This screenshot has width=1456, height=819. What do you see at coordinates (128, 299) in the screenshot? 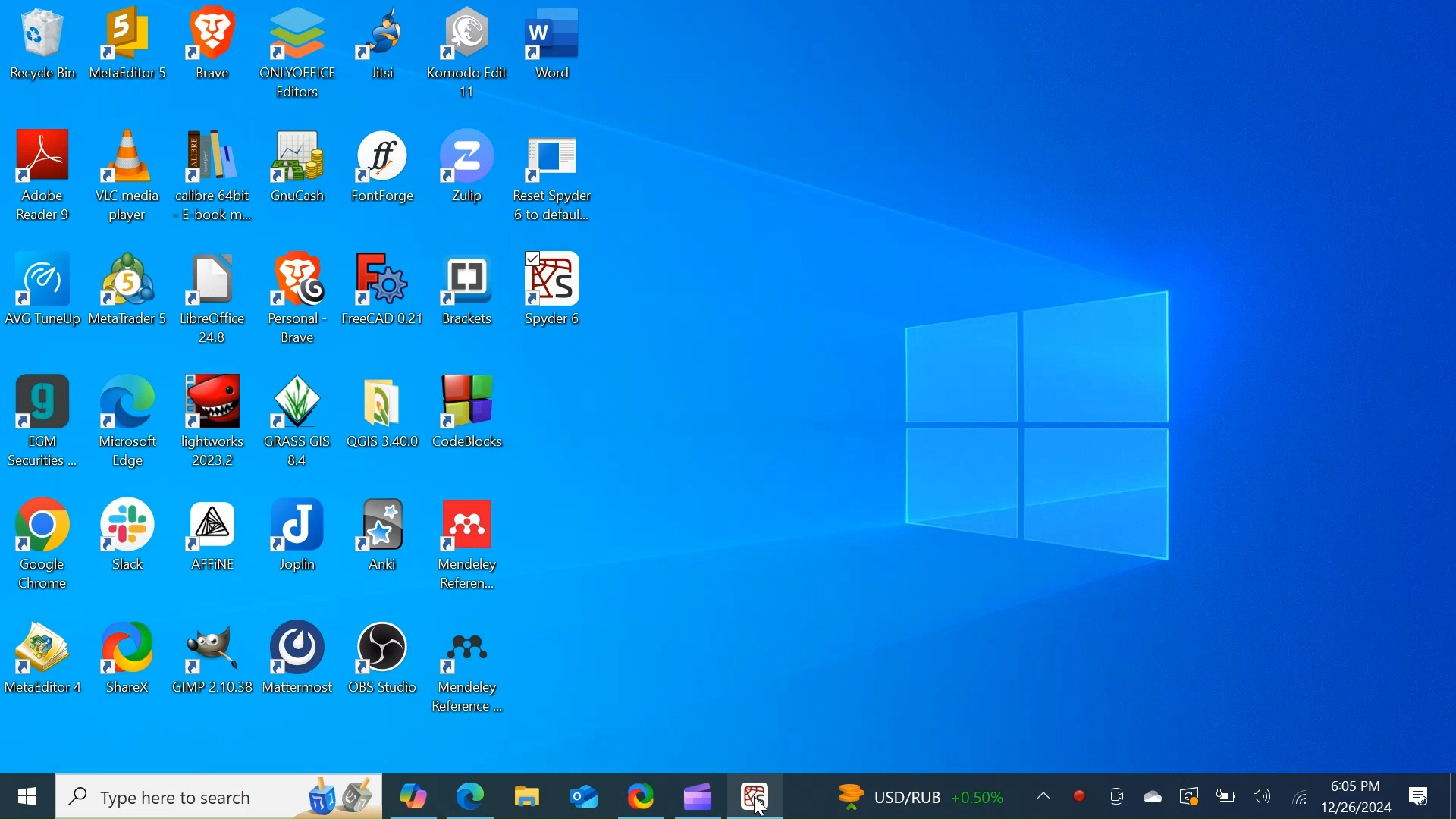
I see `Meta Desktop Icon` at bounding box center [128, 299].